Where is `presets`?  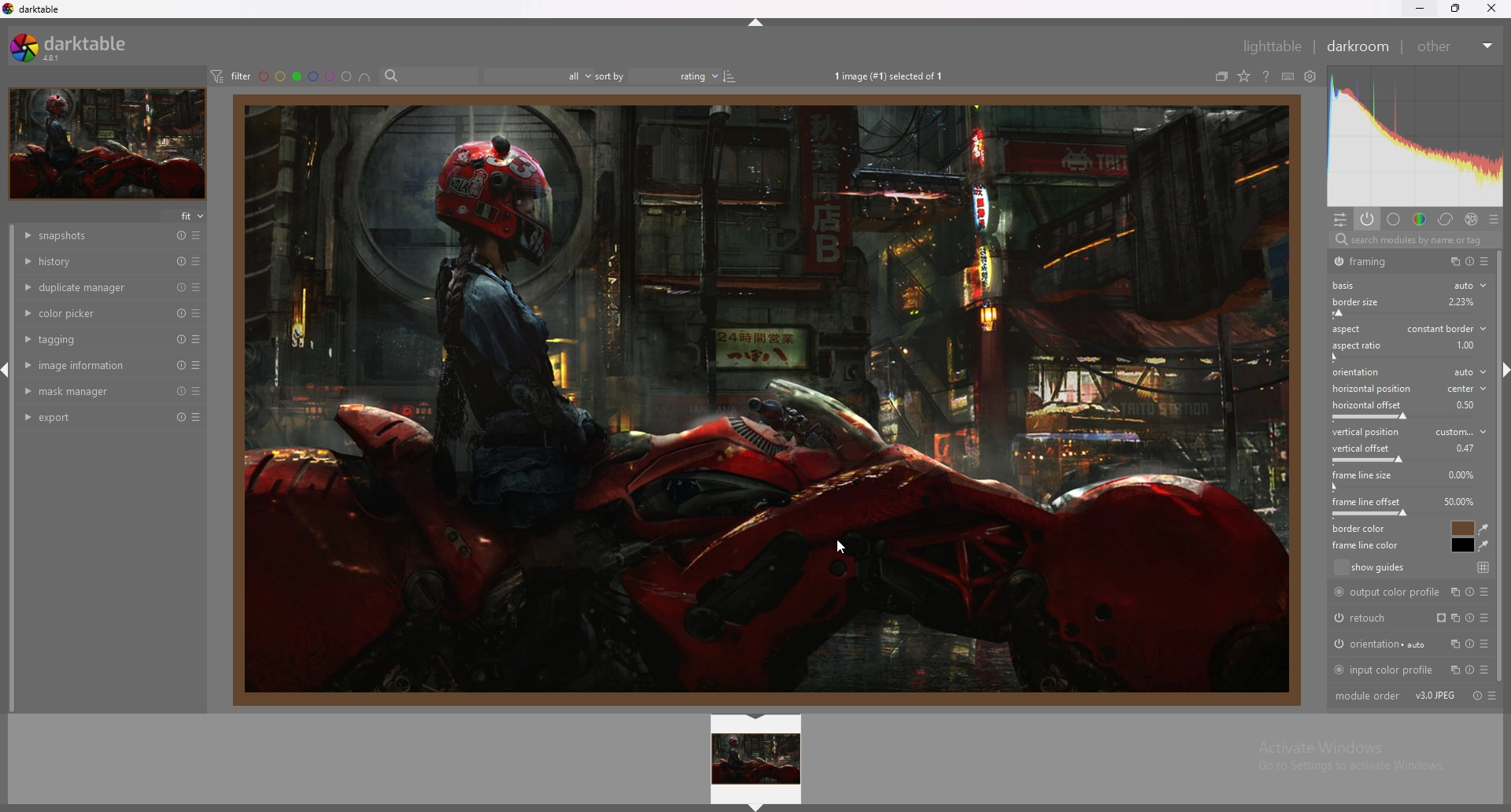 presets is located at coordinates (197, 287).